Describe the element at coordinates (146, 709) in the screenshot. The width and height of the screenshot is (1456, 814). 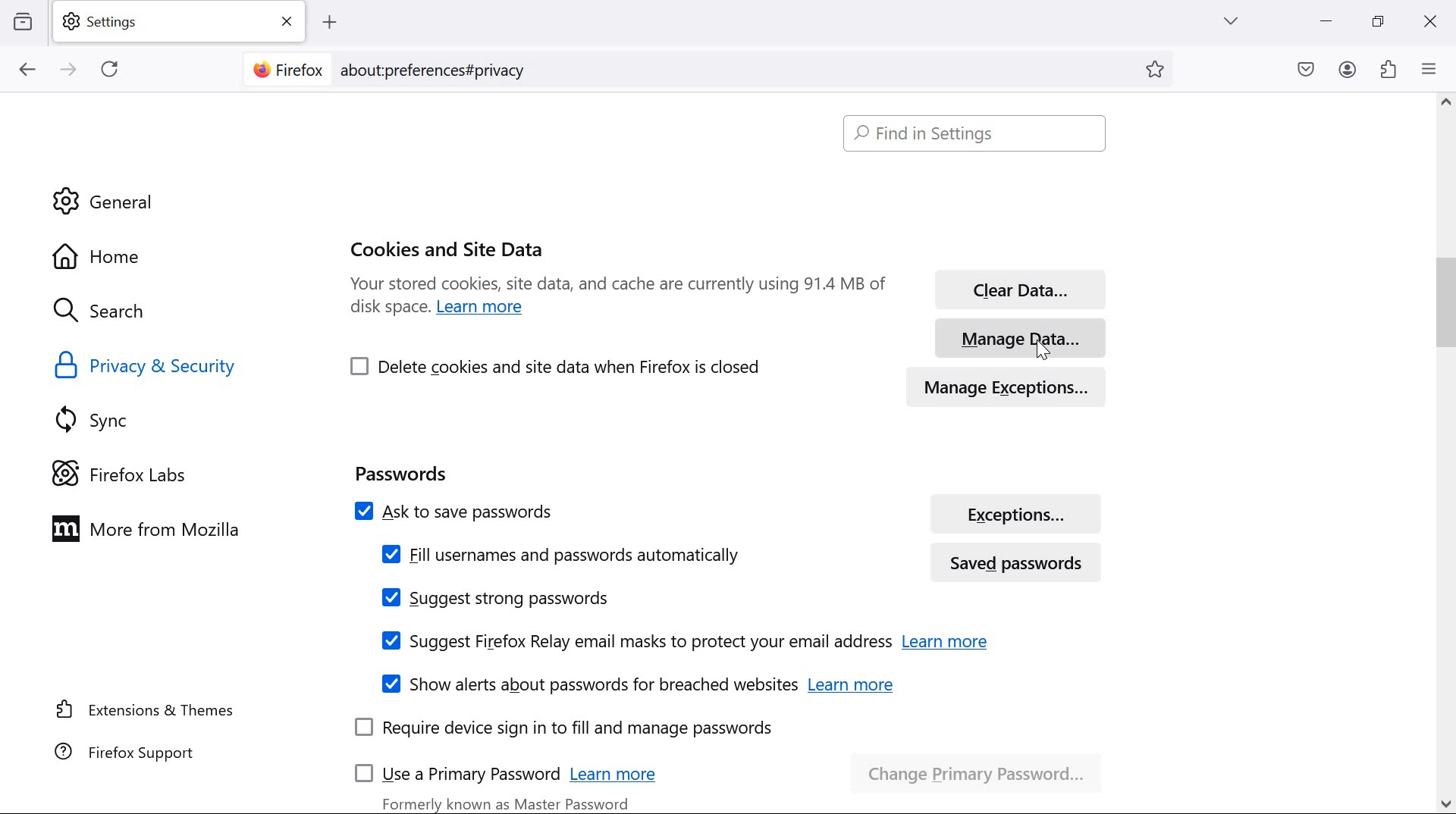
I see `extensions & themes` at that location.